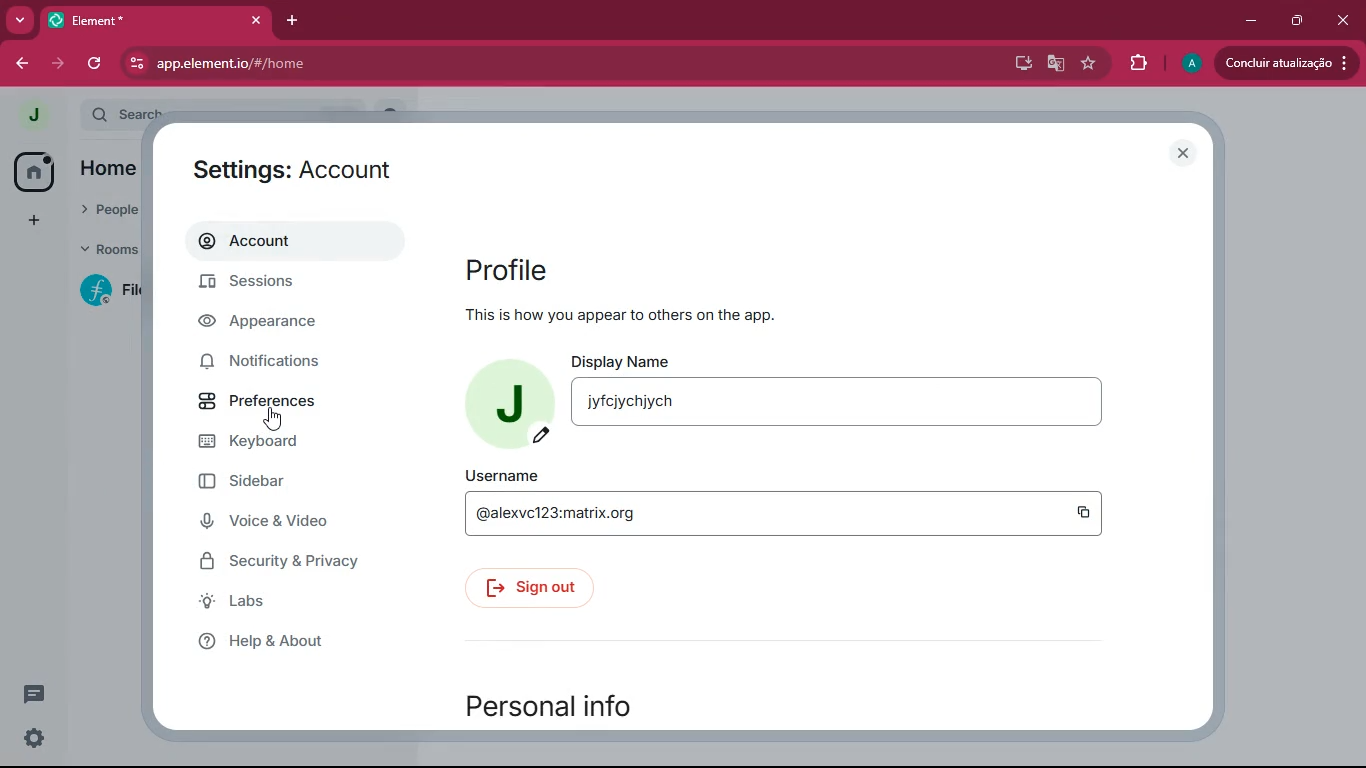 The image size is (1366, 768). What do you see at coordinates (34, 222) in the screenshot?
I see `more` at bounding box center [34, 222].